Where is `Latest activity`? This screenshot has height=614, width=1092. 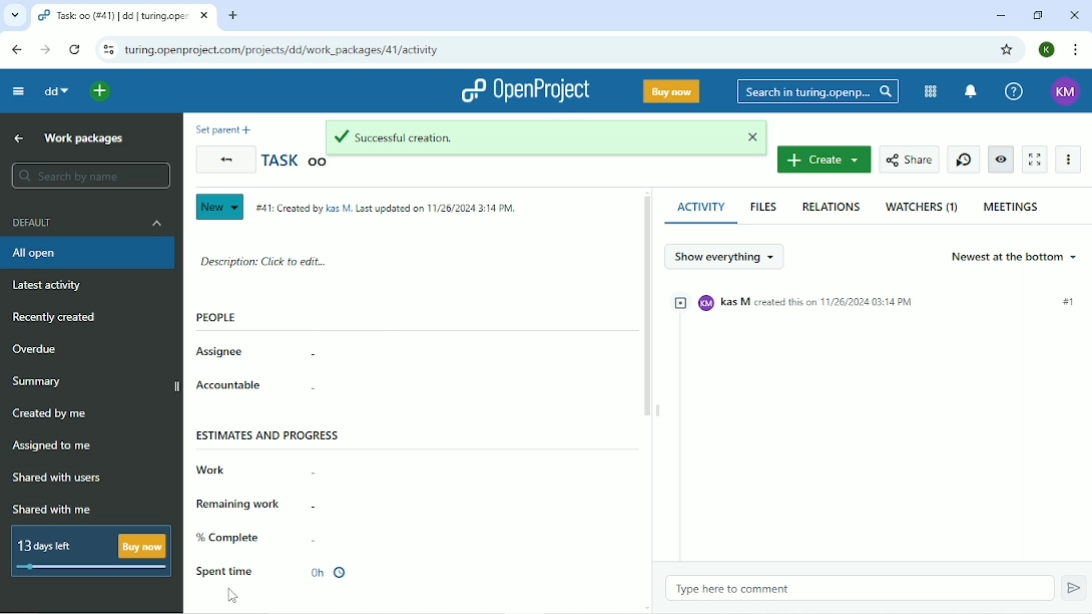 Latest activity is located at coordinates (45, 284).